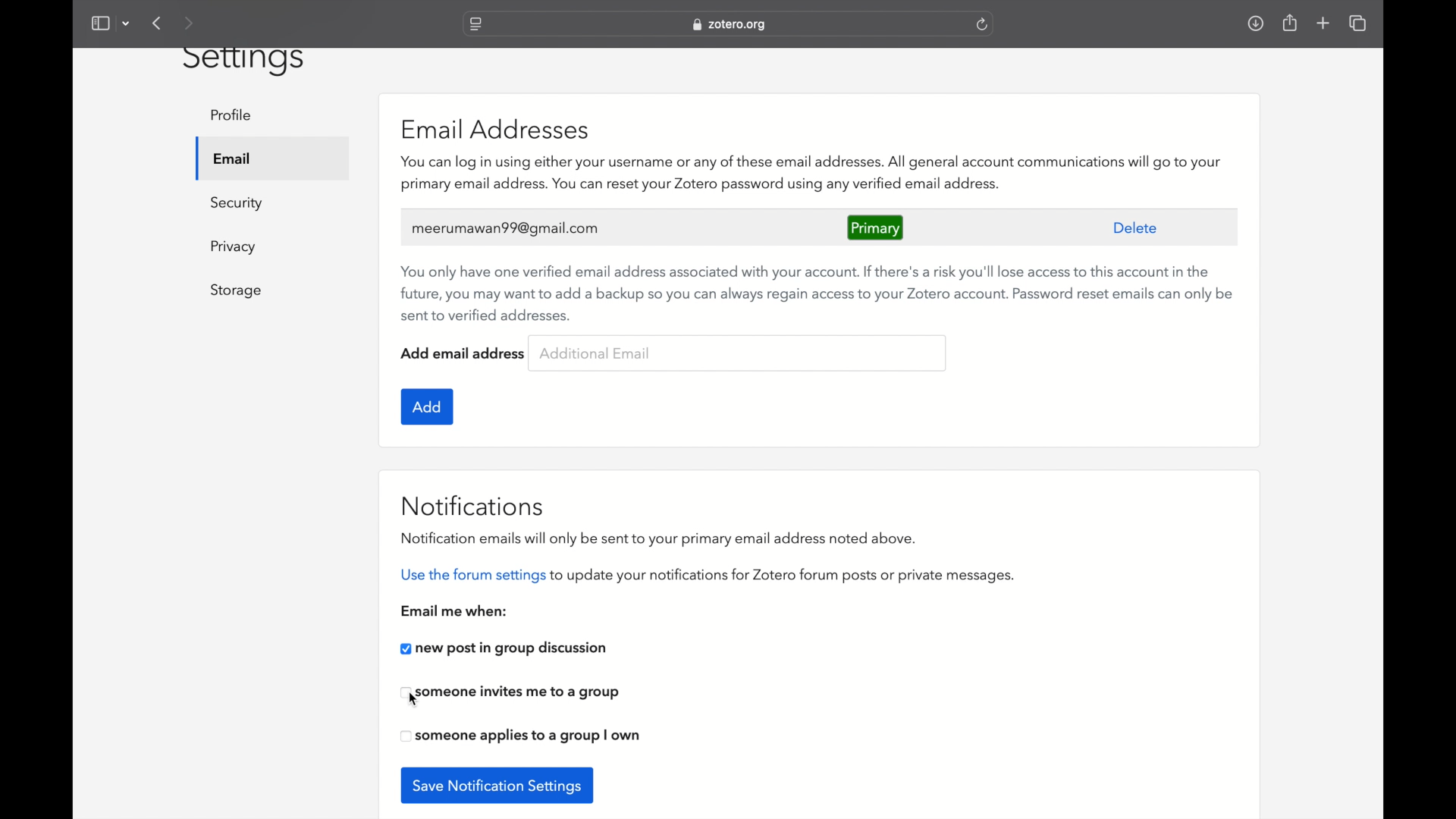 This screenshot has height=819, width=1456. Describe the element at coordinates (814, 291) in the screenshot. I see `You only have one verified email address associated with your account. If there's a risk you'll lose access to this account in the
future, you may want to add a backup so you can always regain access to your Zotero account. Password reset emails can only be
sent to verified addresses.` at that location.